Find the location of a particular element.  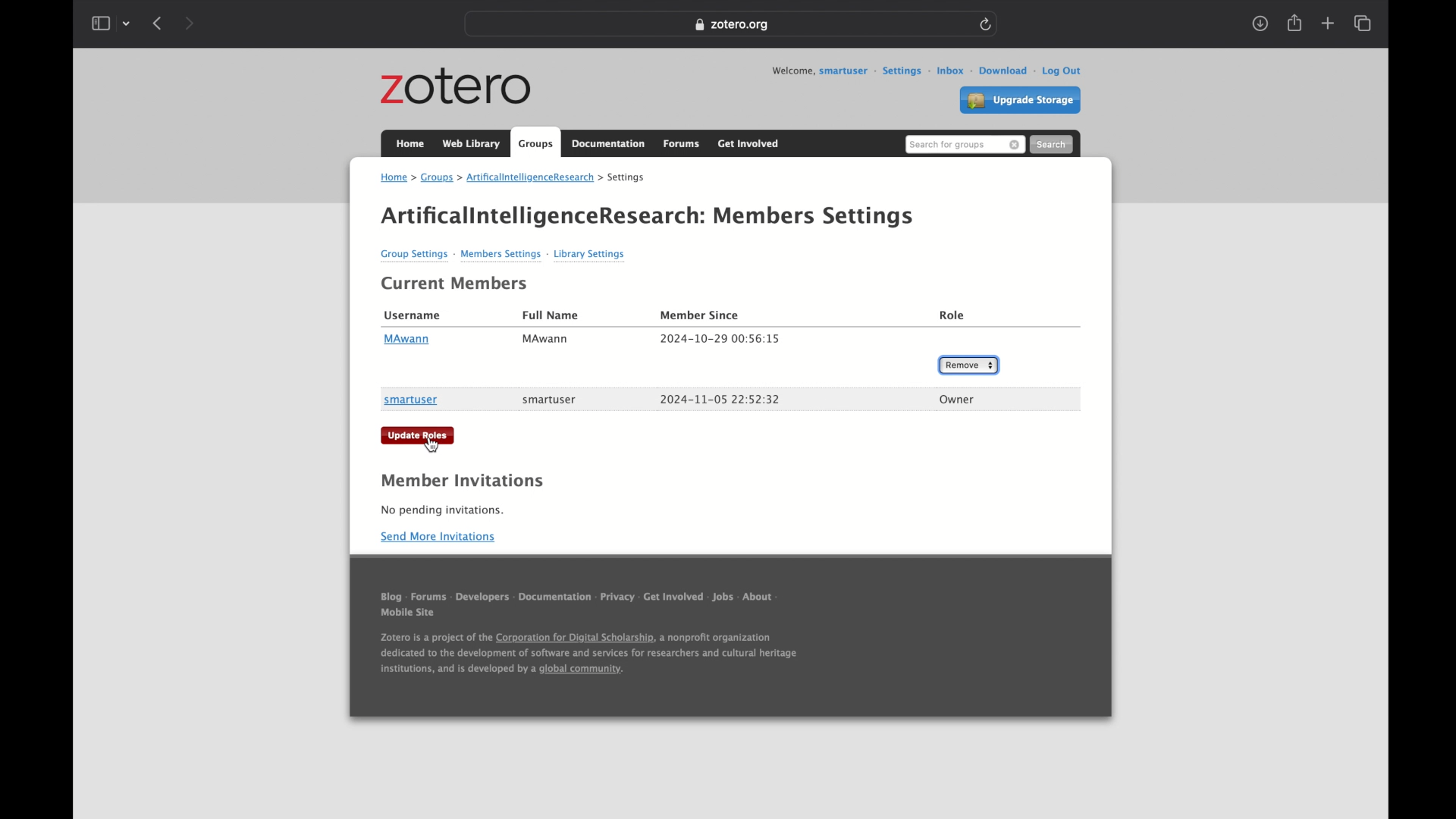

MAwann is located at coordinates (406, 340).